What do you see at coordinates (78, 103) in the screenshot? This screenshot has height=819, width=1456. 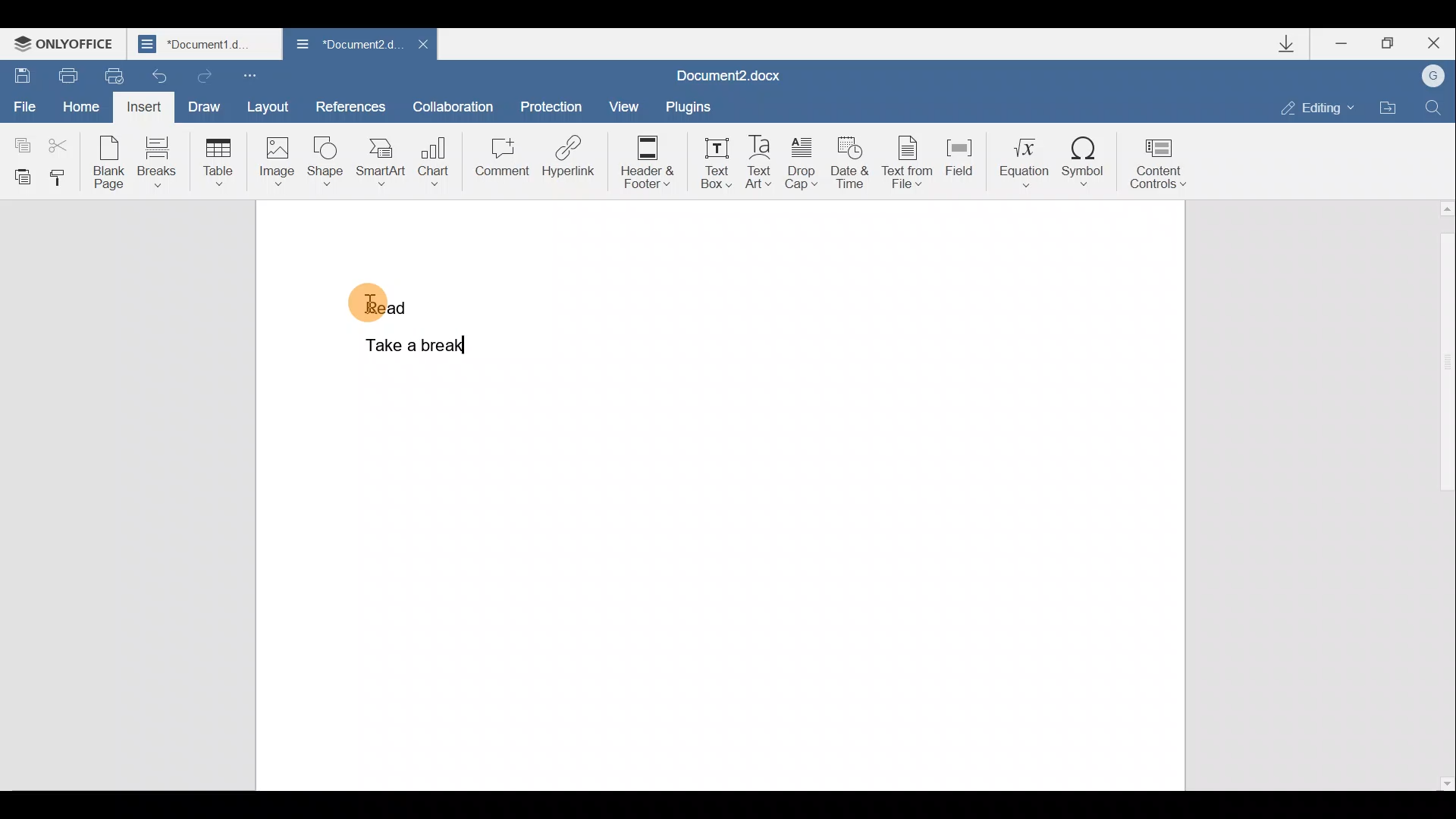 I see `Home` at bounding box center [78, 103].